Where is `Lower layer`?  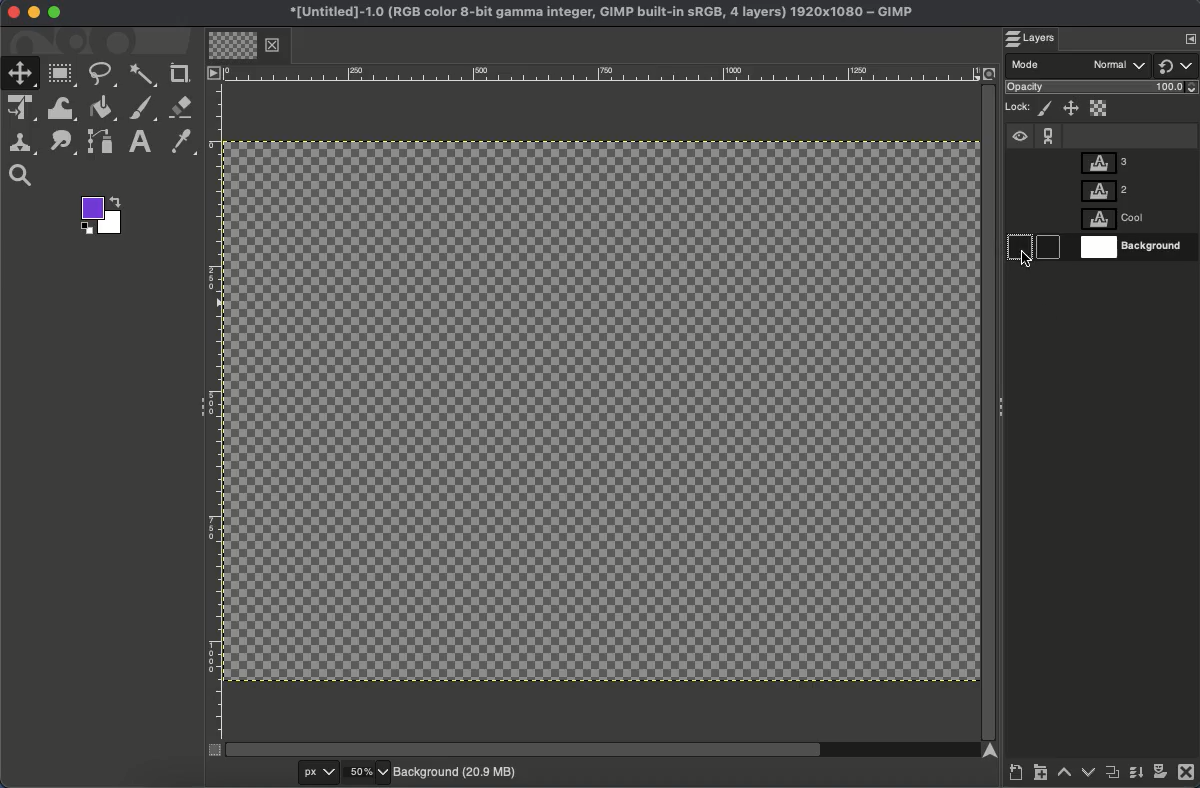
Lower layer is located at coordinates (1087, 775).